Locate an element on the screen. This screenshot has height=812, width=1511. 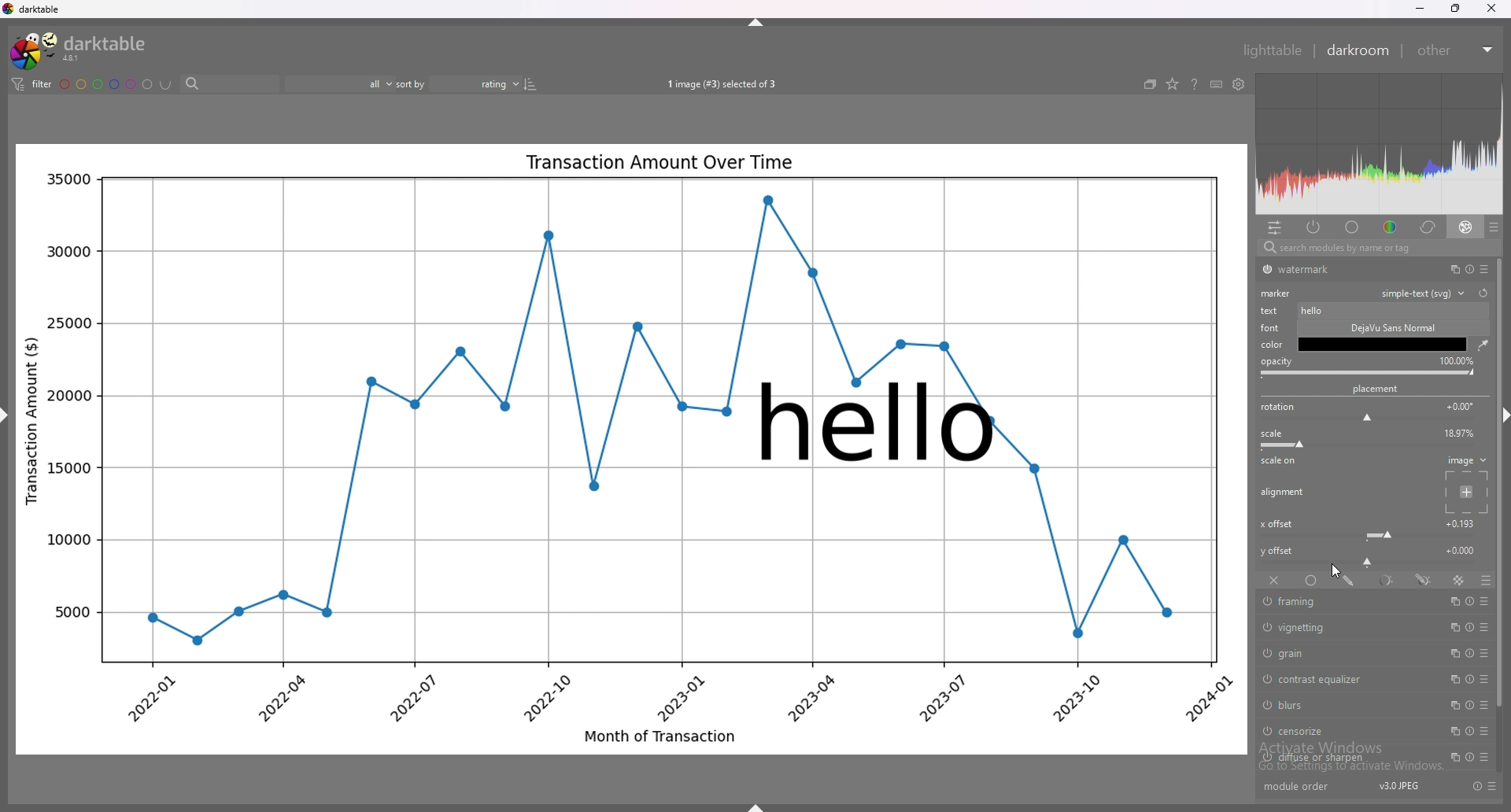
darktable is located at coordinates (34, 9).